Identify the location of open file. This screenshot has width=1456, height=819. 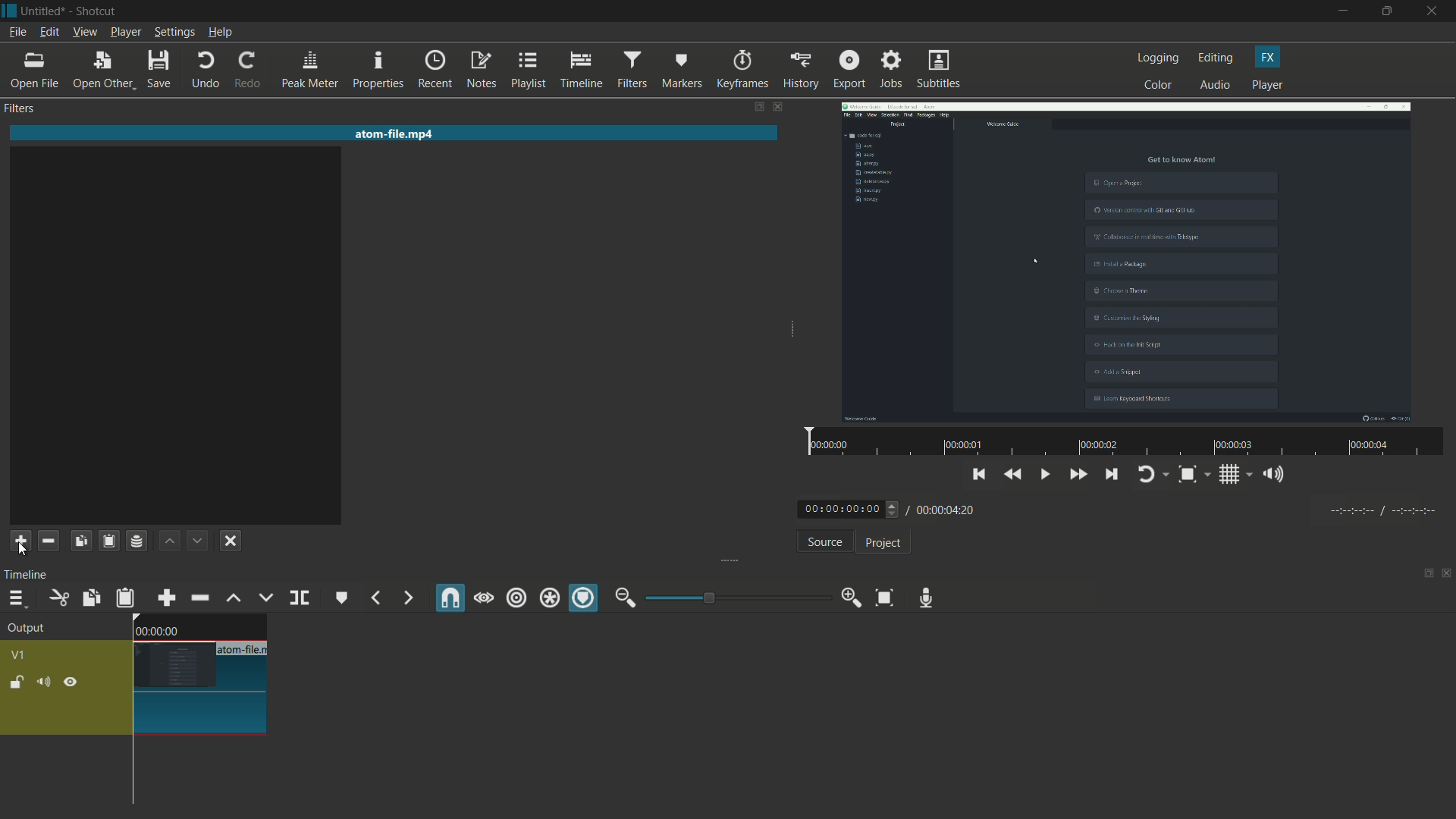
(36, 71).